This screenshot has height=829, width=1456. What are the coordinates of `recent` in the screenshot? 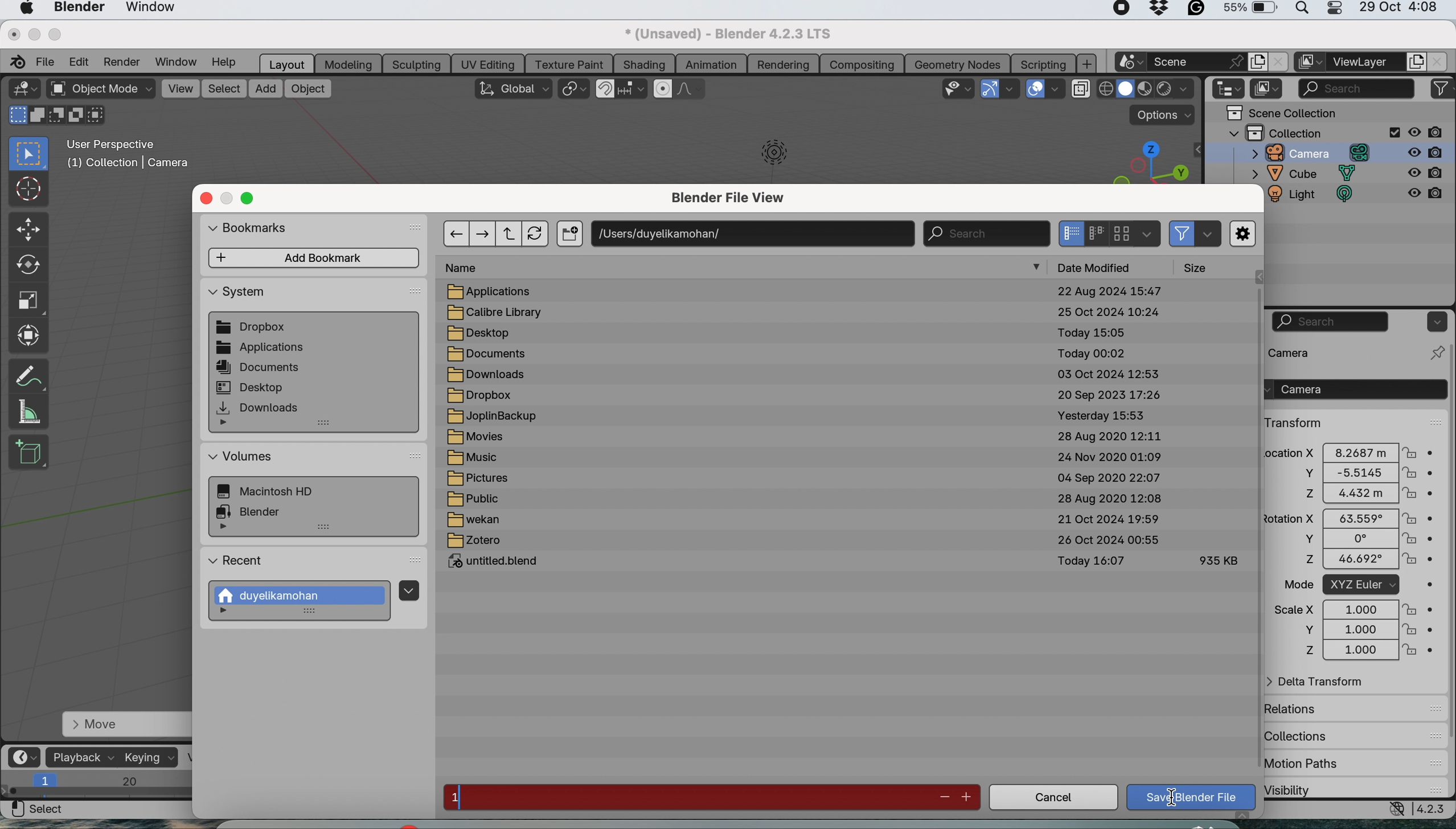 It's located at (238, 563).